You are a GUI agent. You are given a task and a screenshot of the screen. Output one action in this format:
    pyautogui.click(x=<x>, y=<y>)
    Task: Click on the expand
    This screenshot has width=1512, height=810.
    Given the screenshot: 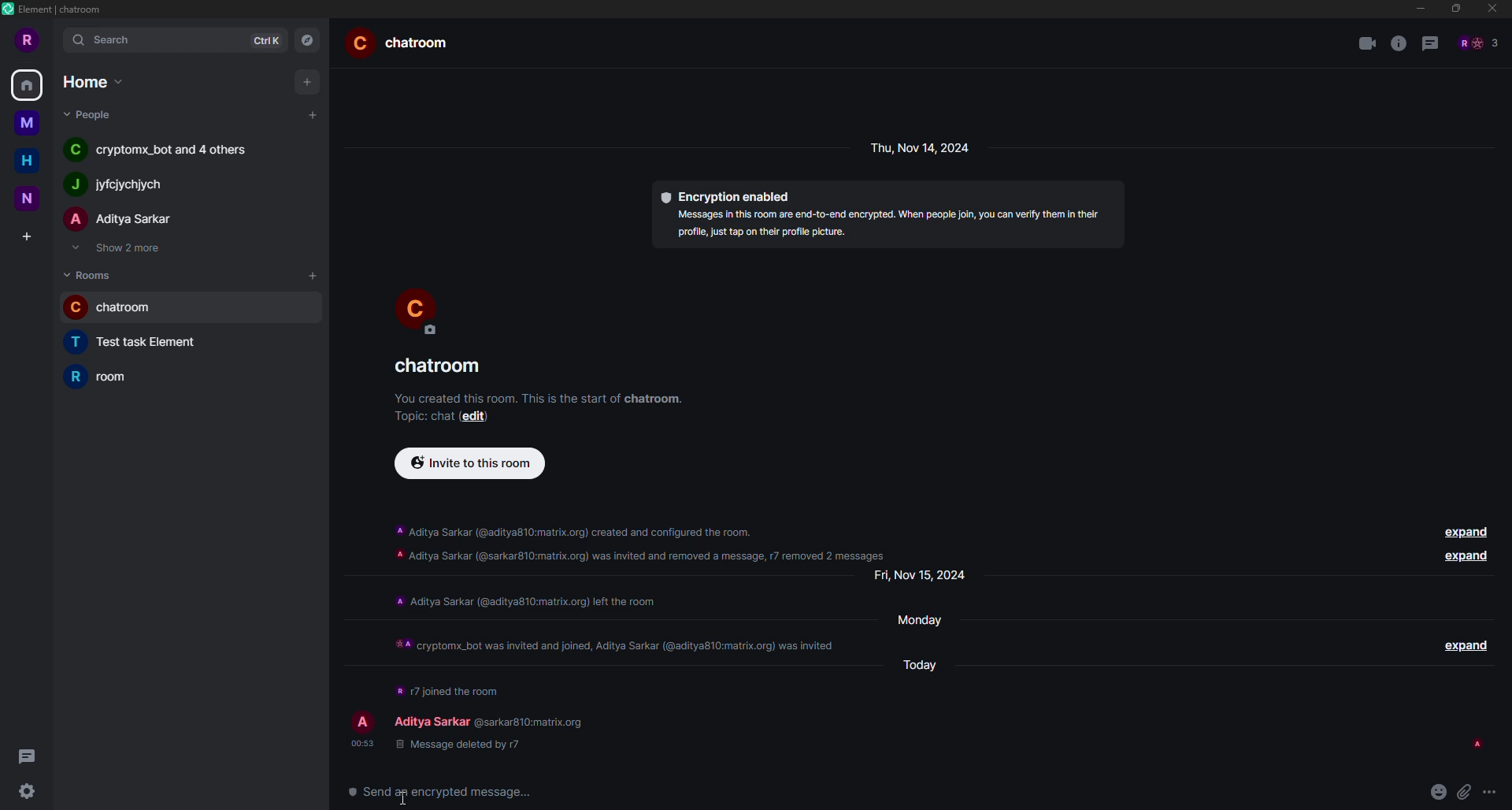 What is the action you would take?
    pyautogui.click(x=1463, y=643)
    